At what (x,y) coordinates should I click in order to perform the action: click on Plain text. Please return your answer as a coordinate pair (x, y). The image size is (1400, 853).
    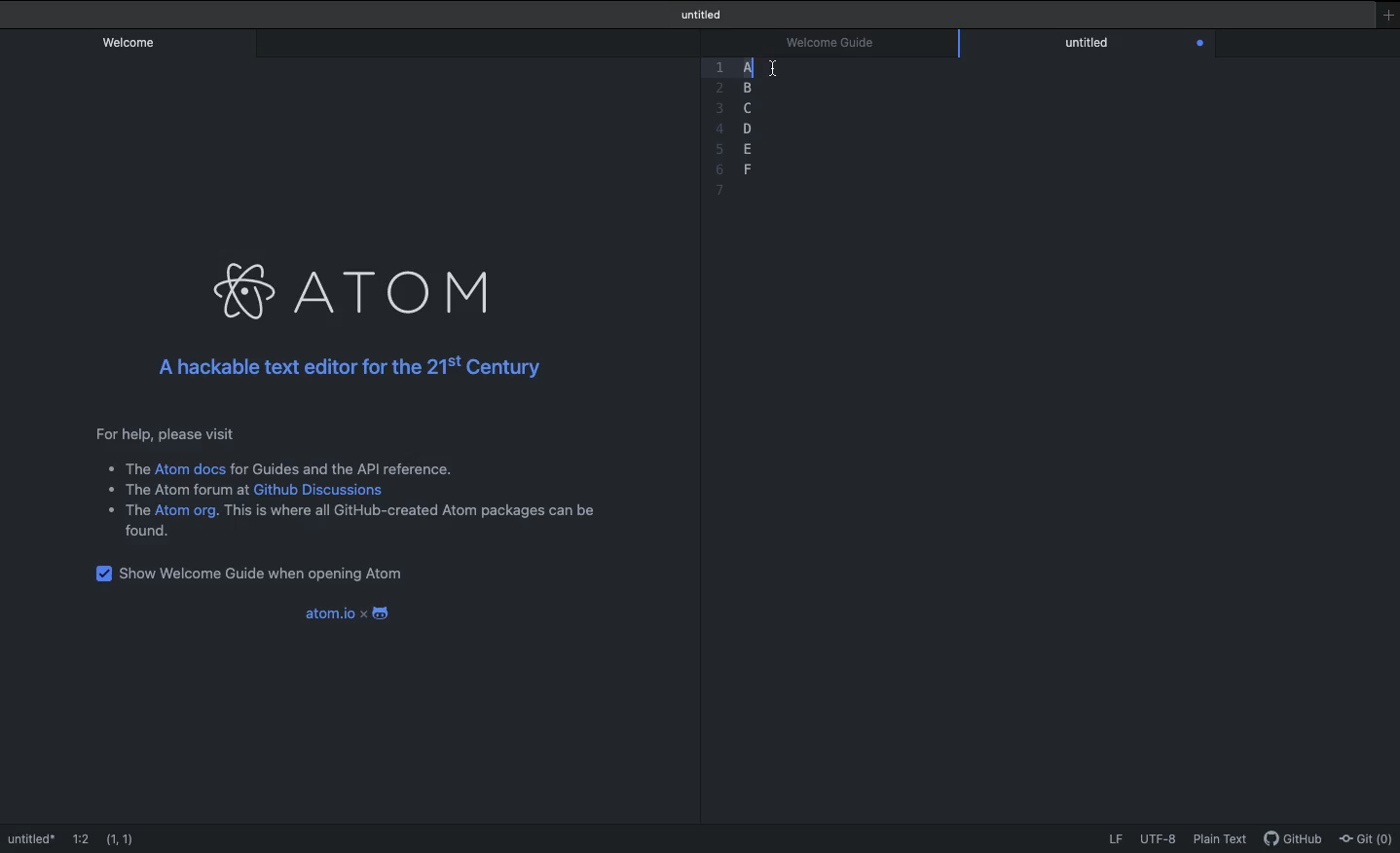
    Looking at the image, I should click on (1220, 840).